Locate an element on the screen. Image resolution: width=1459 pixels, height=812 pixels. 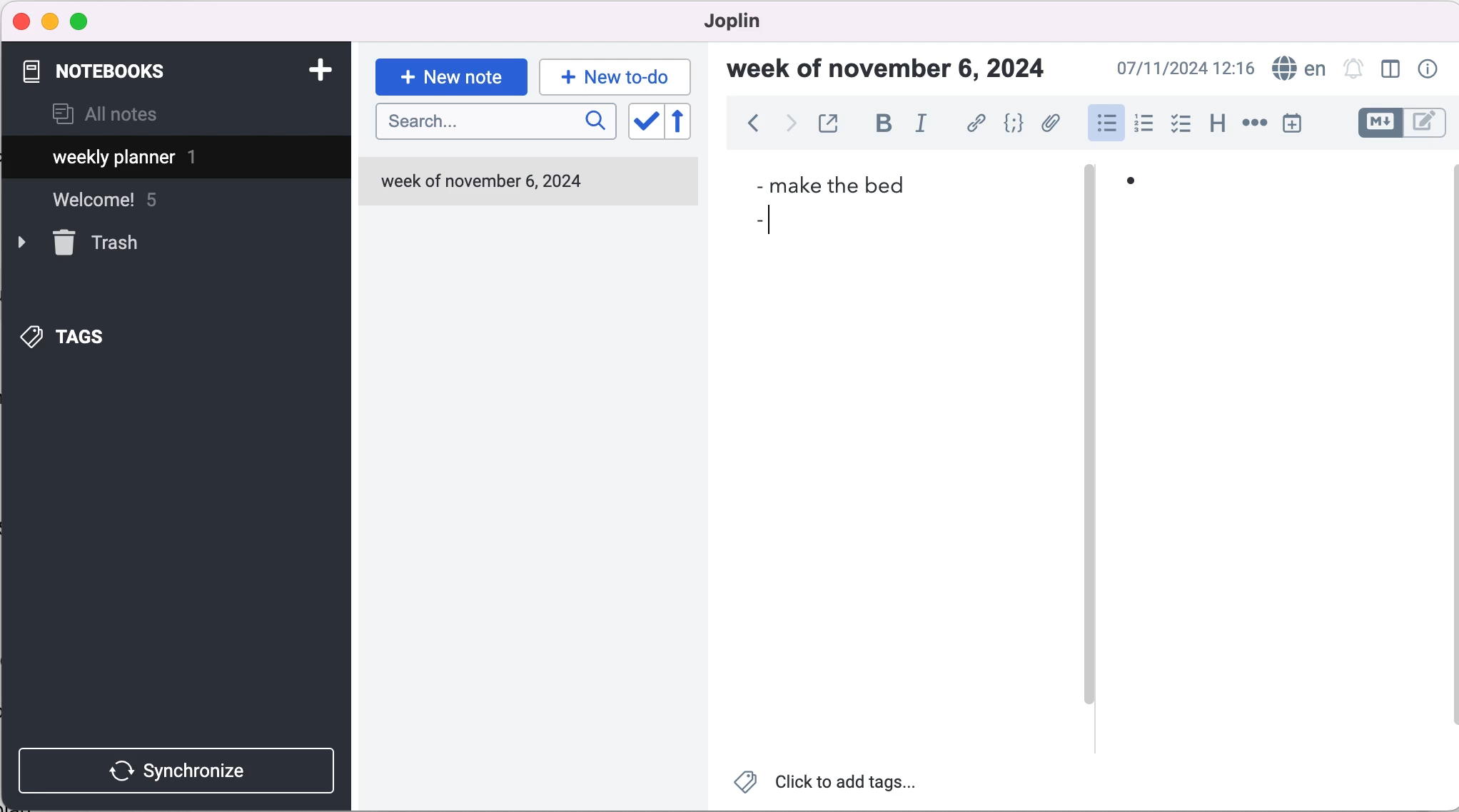
language is located at coordinates (1296, 69).